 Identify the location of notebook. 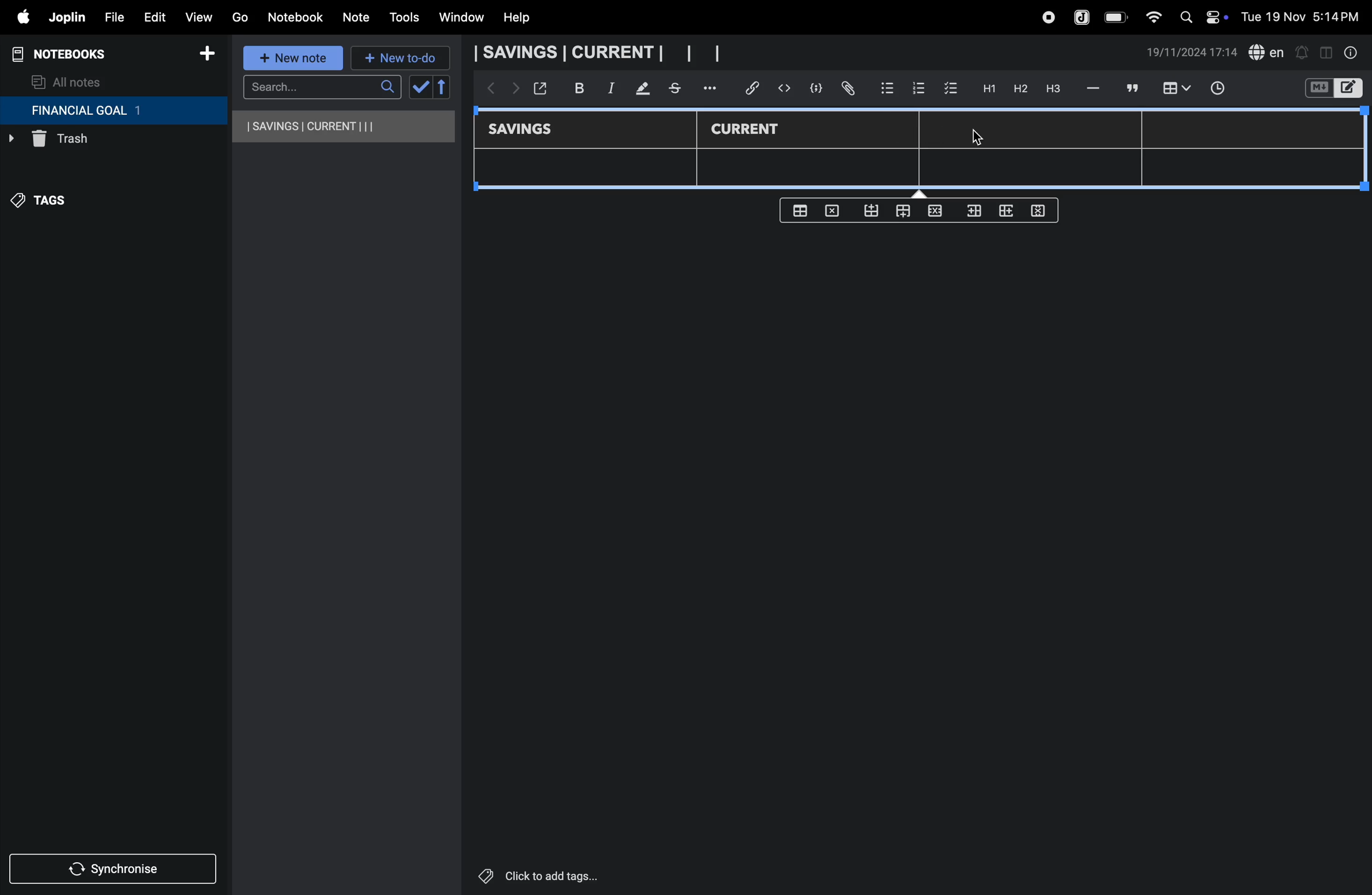
(295, 17).